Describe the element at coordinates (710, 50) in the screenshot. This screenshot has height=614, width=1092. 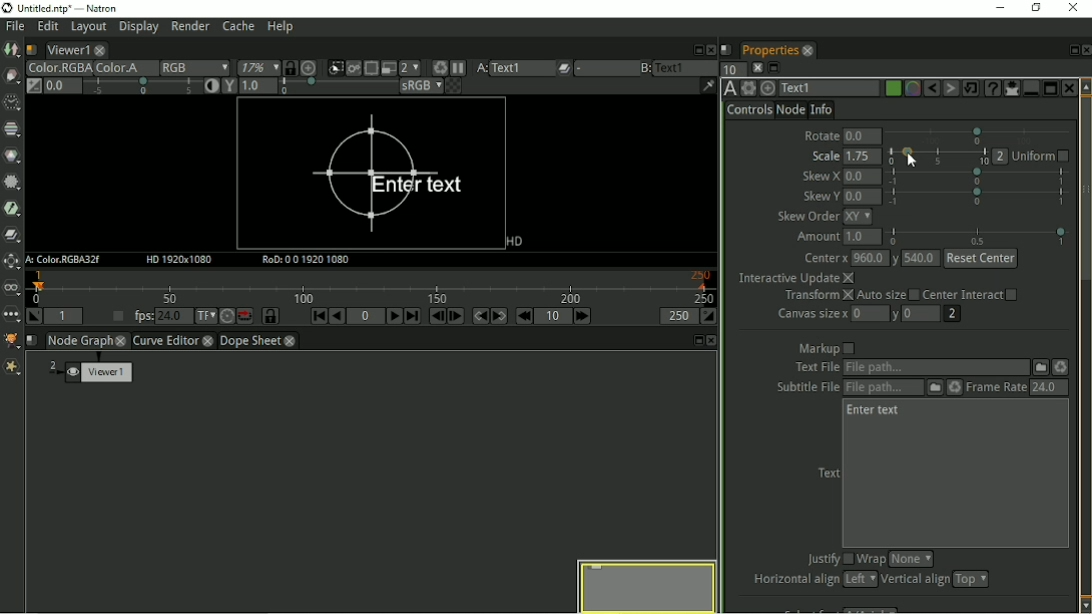
I see `Close` at that location.